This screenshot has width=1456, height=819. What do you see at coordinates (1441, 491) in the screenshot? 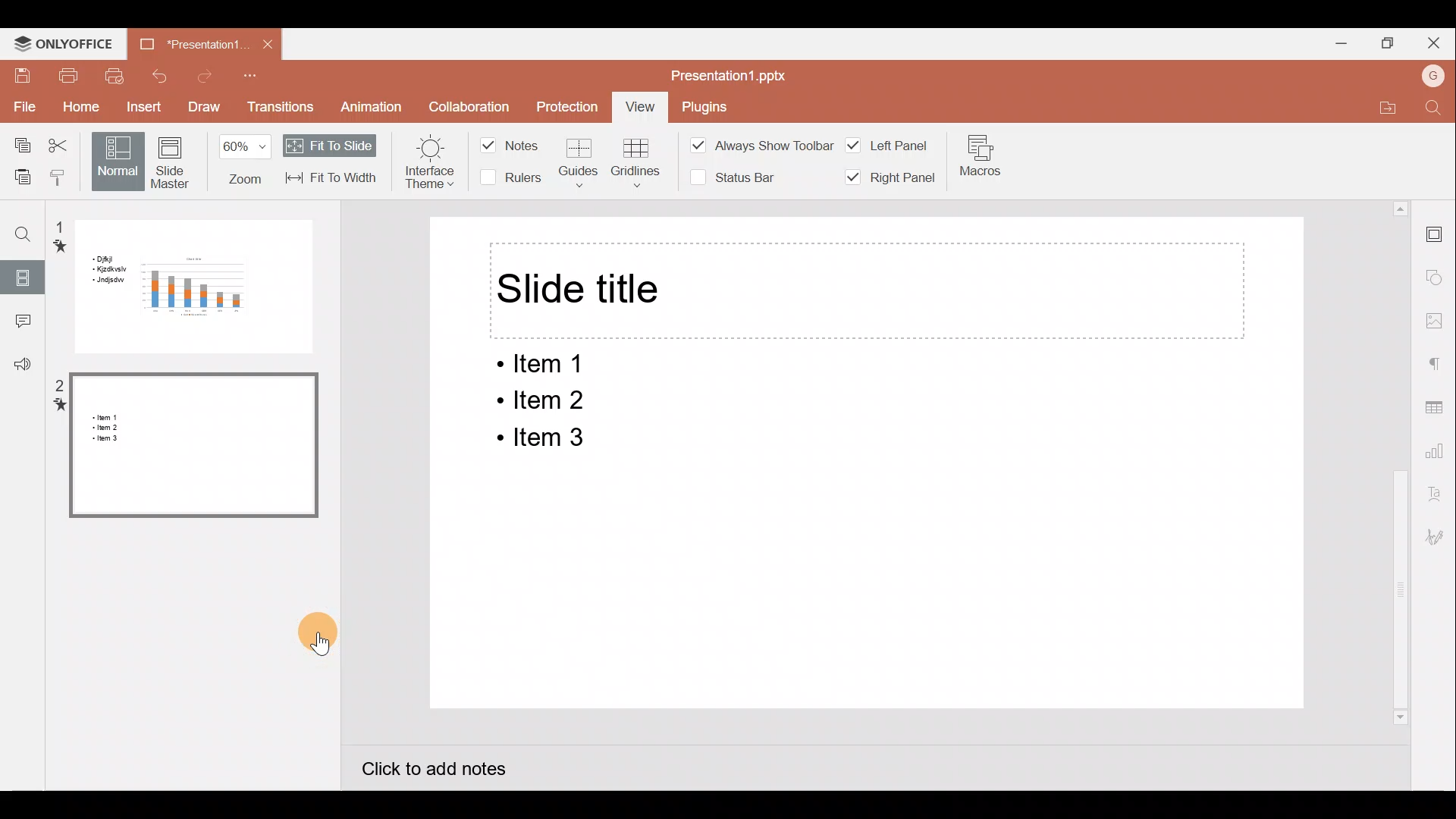
I see `Text Art settings` at bounding box center [1441, 491].